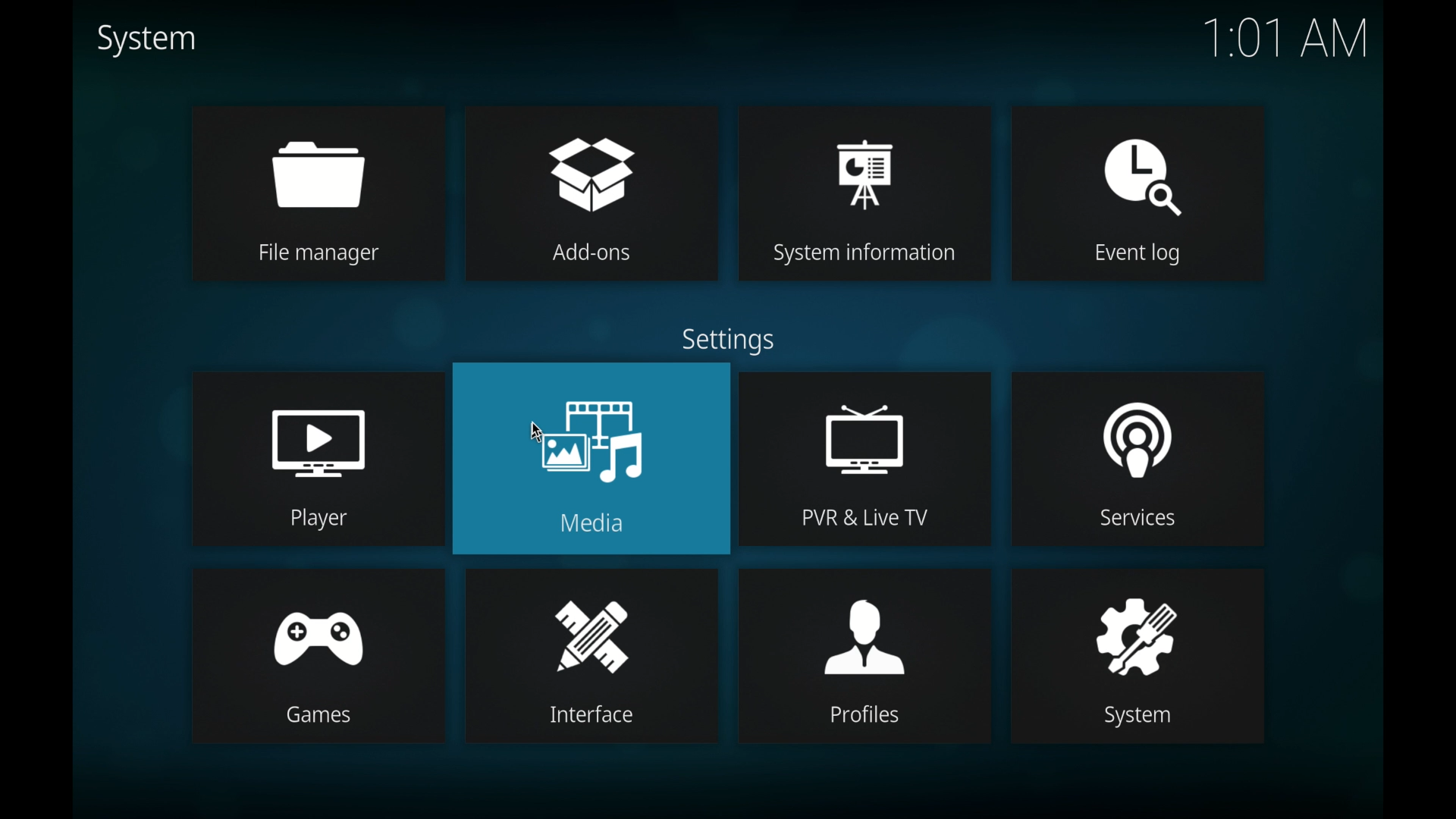  Describe the element at coordinates (871, 254) in the screenshot. I see `System information` at that location.